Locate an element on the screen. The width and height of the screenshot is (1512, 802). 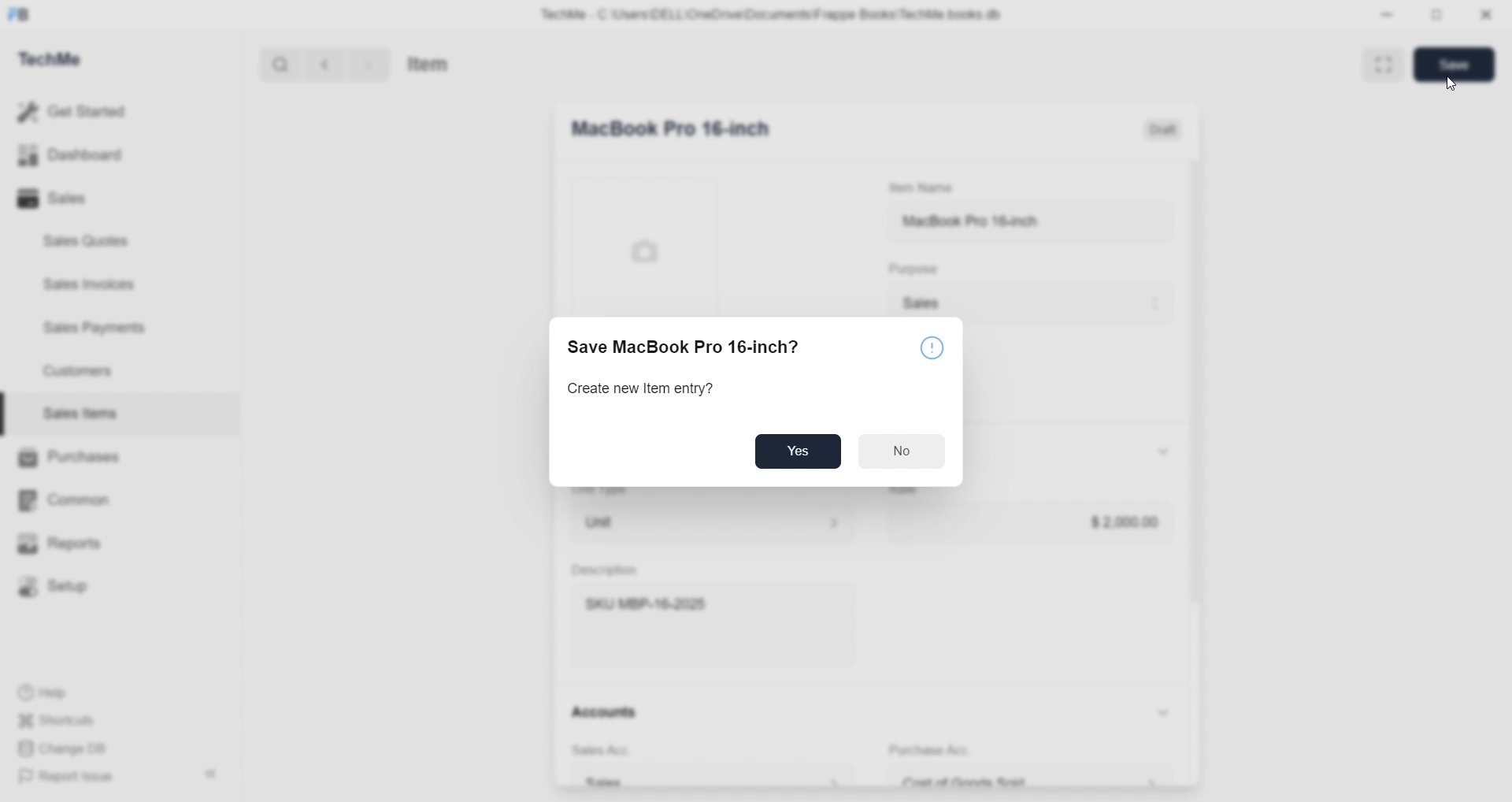
caution is located at coordinates (933, 347).